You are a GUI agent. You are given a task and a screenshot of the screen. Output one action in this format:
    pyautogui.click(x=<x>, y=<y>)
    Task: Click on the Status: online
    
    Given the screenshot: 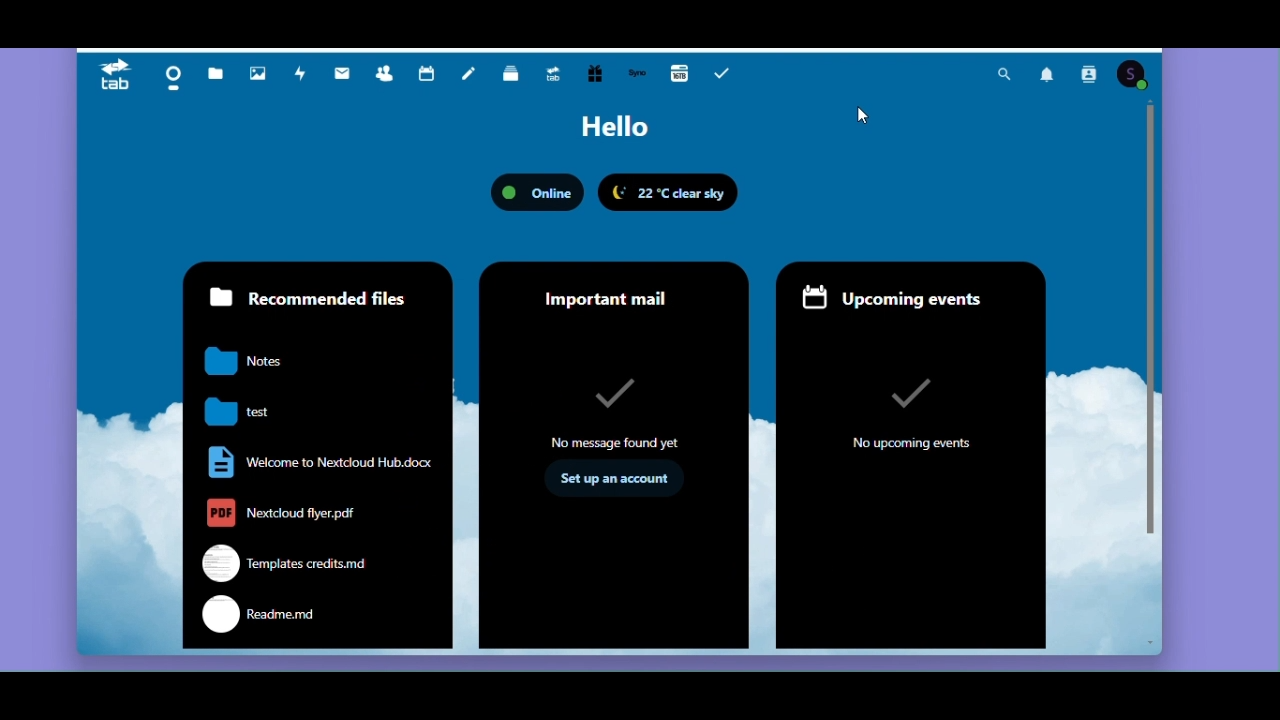 What is the action you would take?
    pyautogui.click(x=538, y=192)
    